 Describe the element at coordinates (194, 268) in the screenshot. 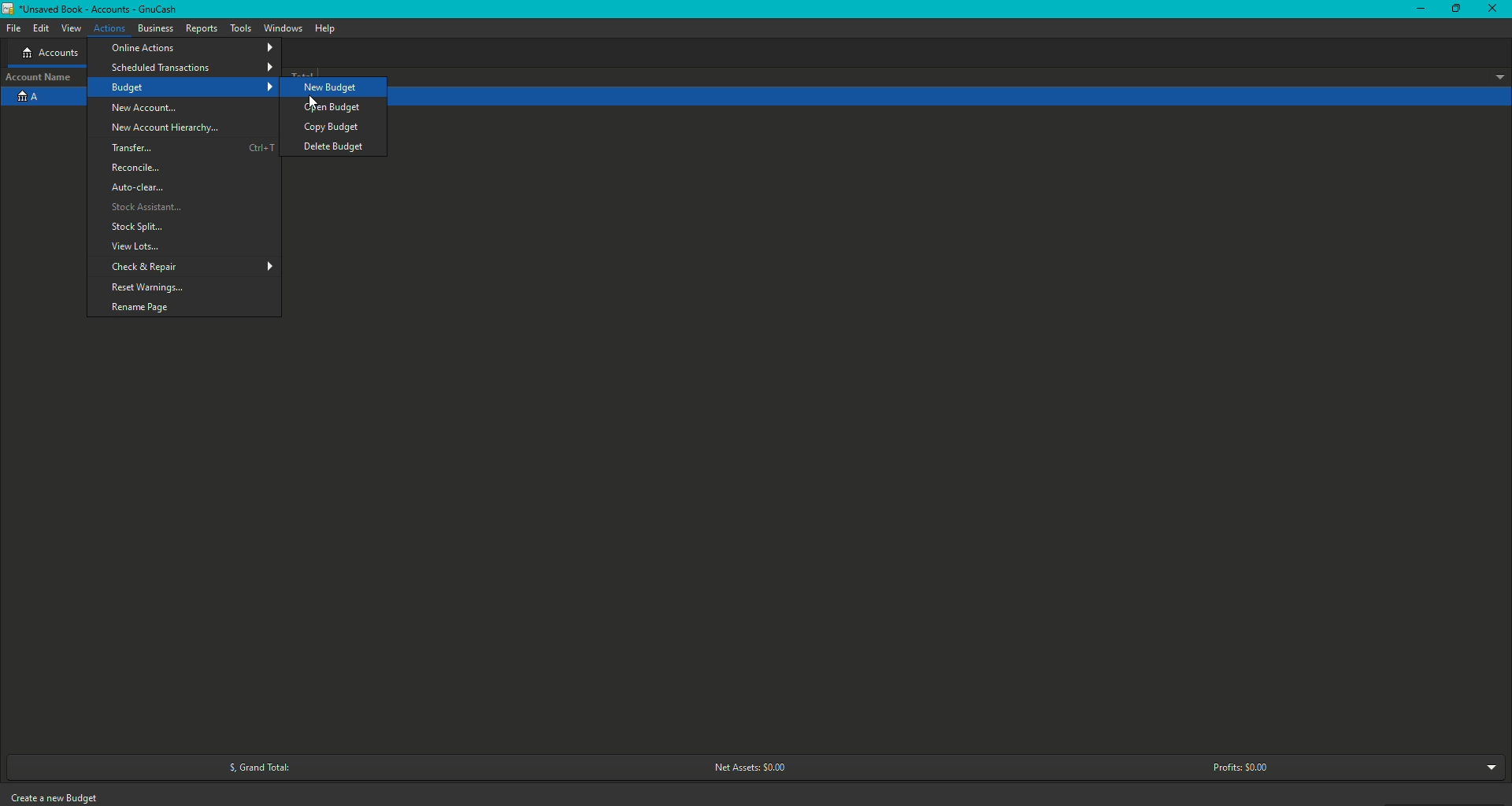

I see `Check and Repair` at that location.